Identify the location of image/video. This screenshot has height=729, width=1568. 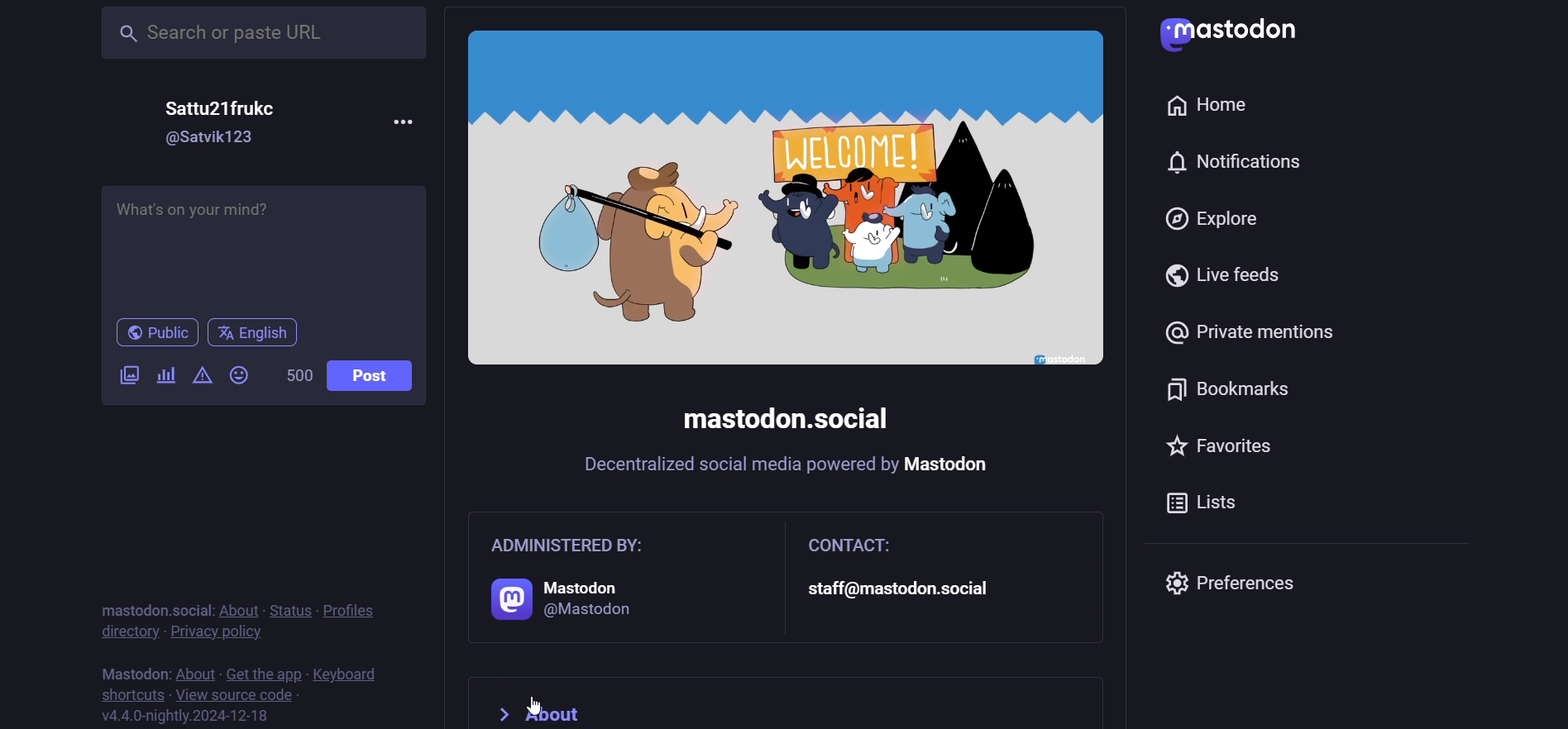
(127, 374).